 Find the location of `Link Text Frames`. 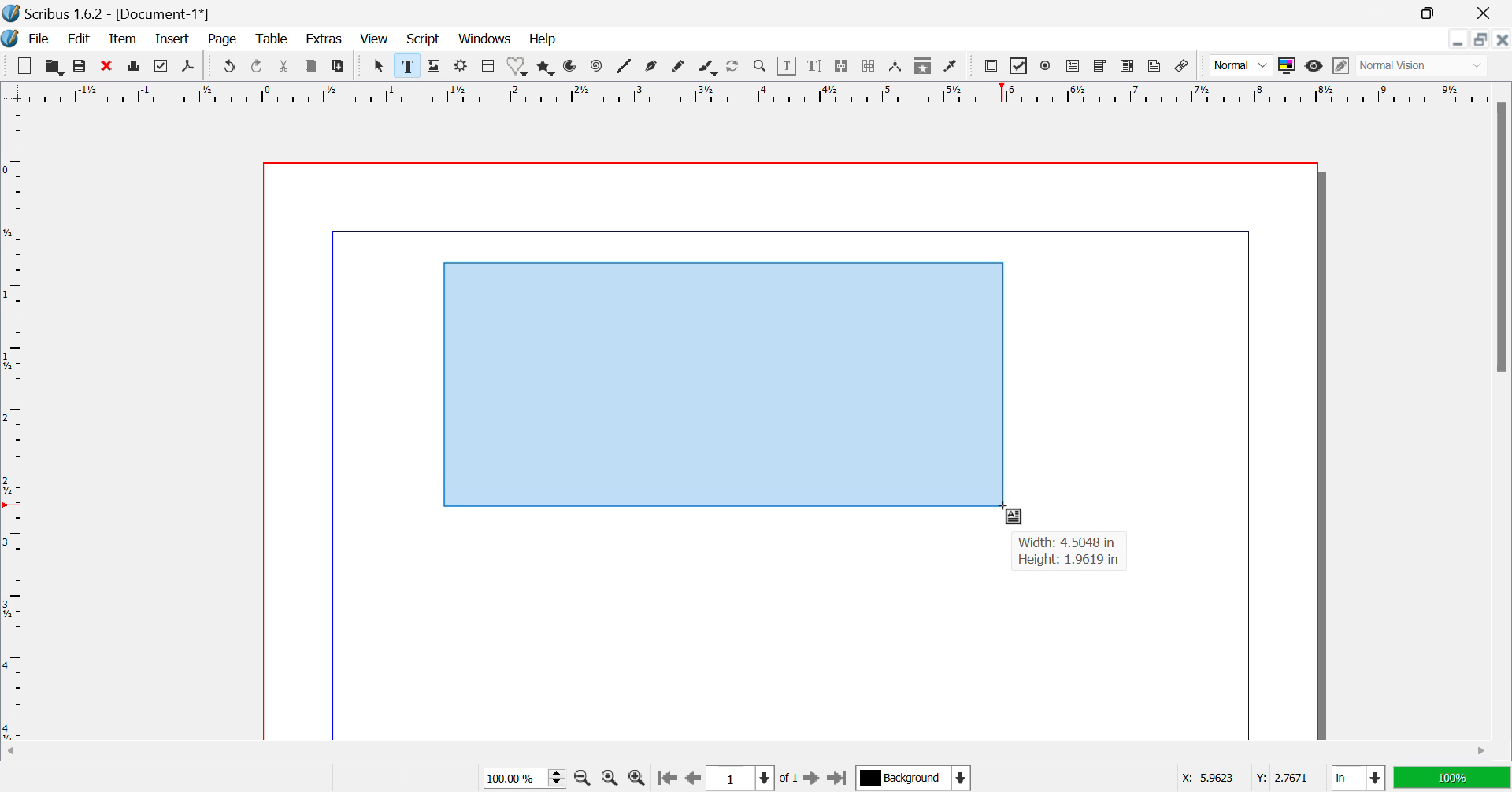

Link Text Frames is located at coordinates (839, 68).